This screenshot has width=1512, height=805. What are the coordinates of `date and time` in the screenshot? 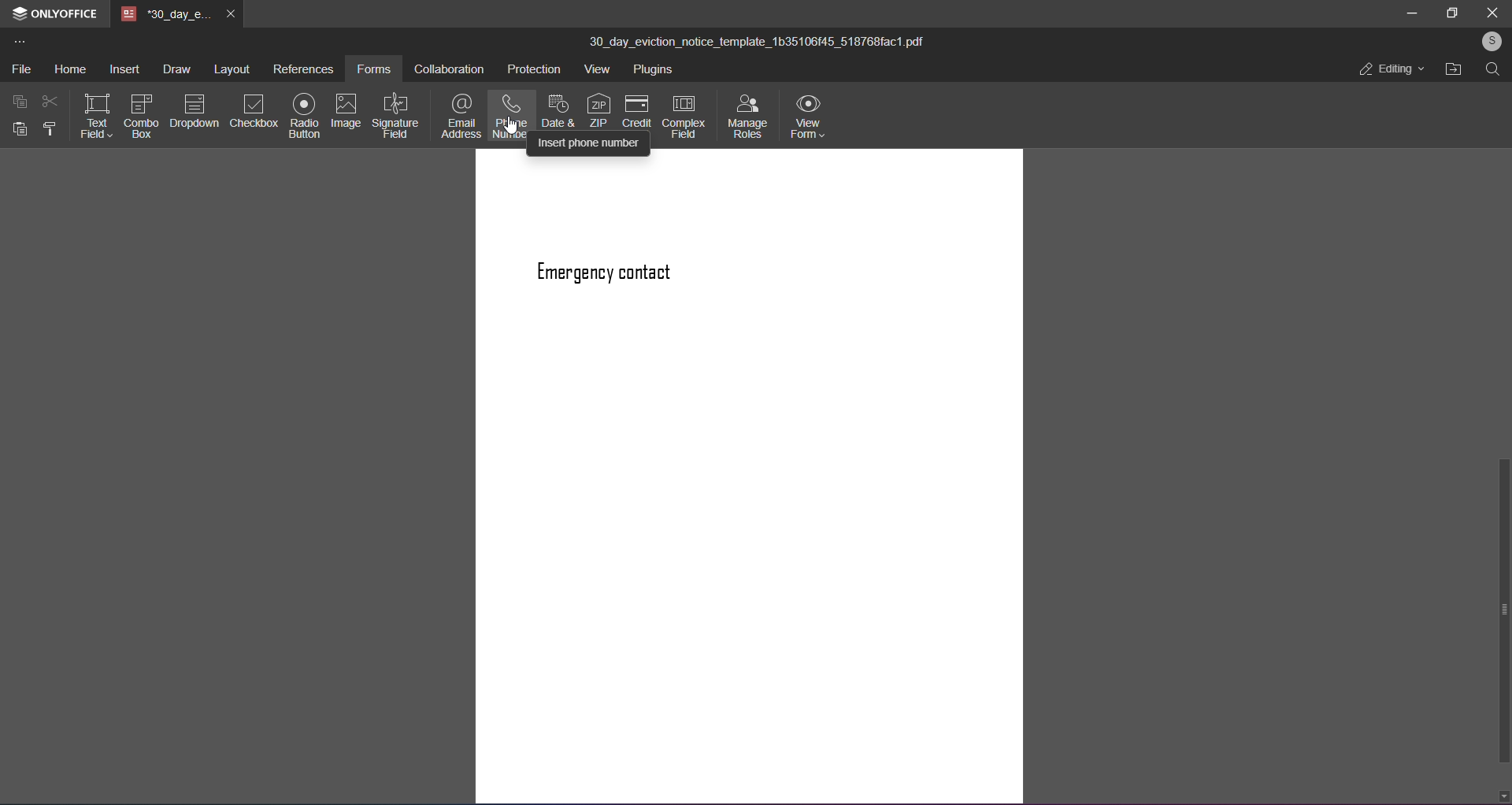 It's located at (558, 108).